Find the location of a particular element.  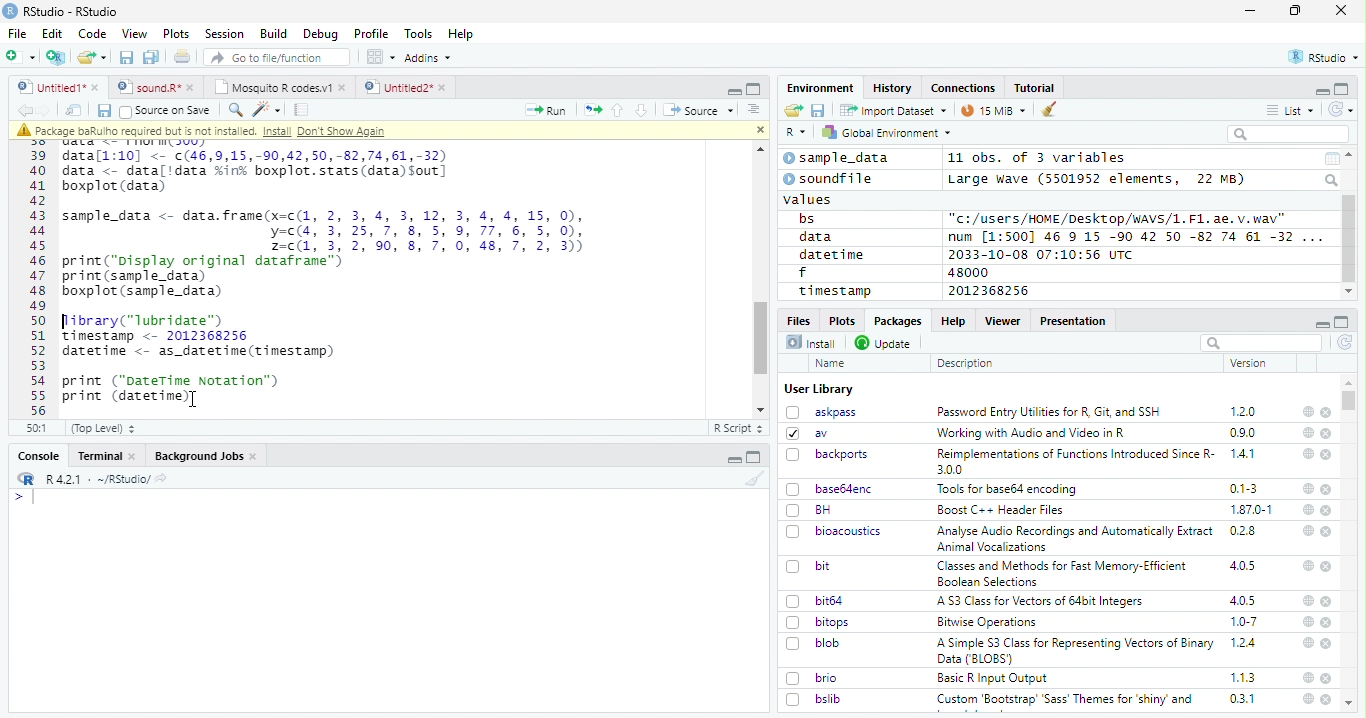

Packages is located at coordinates (896, 321).